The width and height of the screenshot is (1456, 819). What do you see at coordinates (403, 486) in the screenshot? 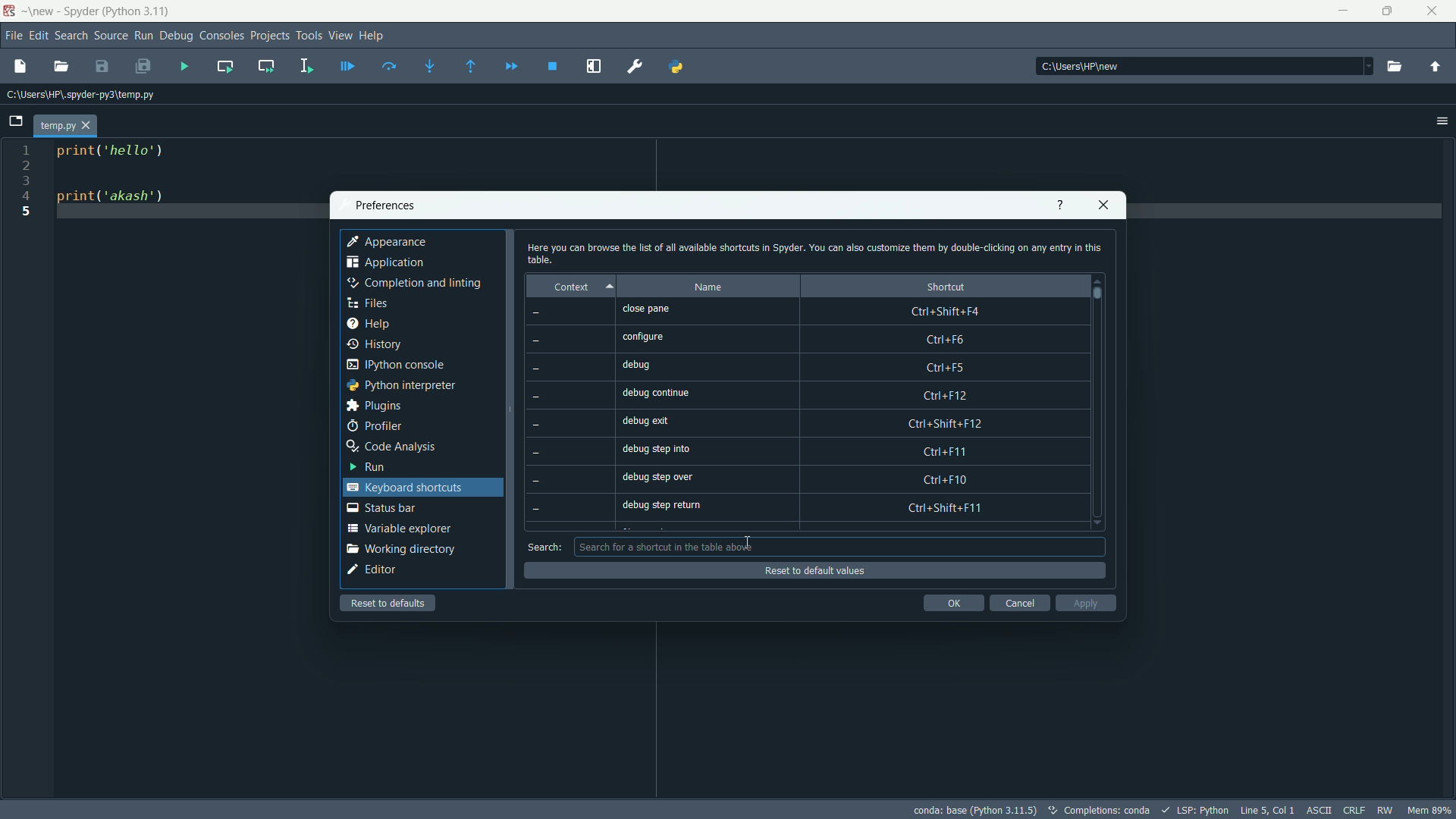
I see `keyboard shortcuts` at bounding box center [403, 486].